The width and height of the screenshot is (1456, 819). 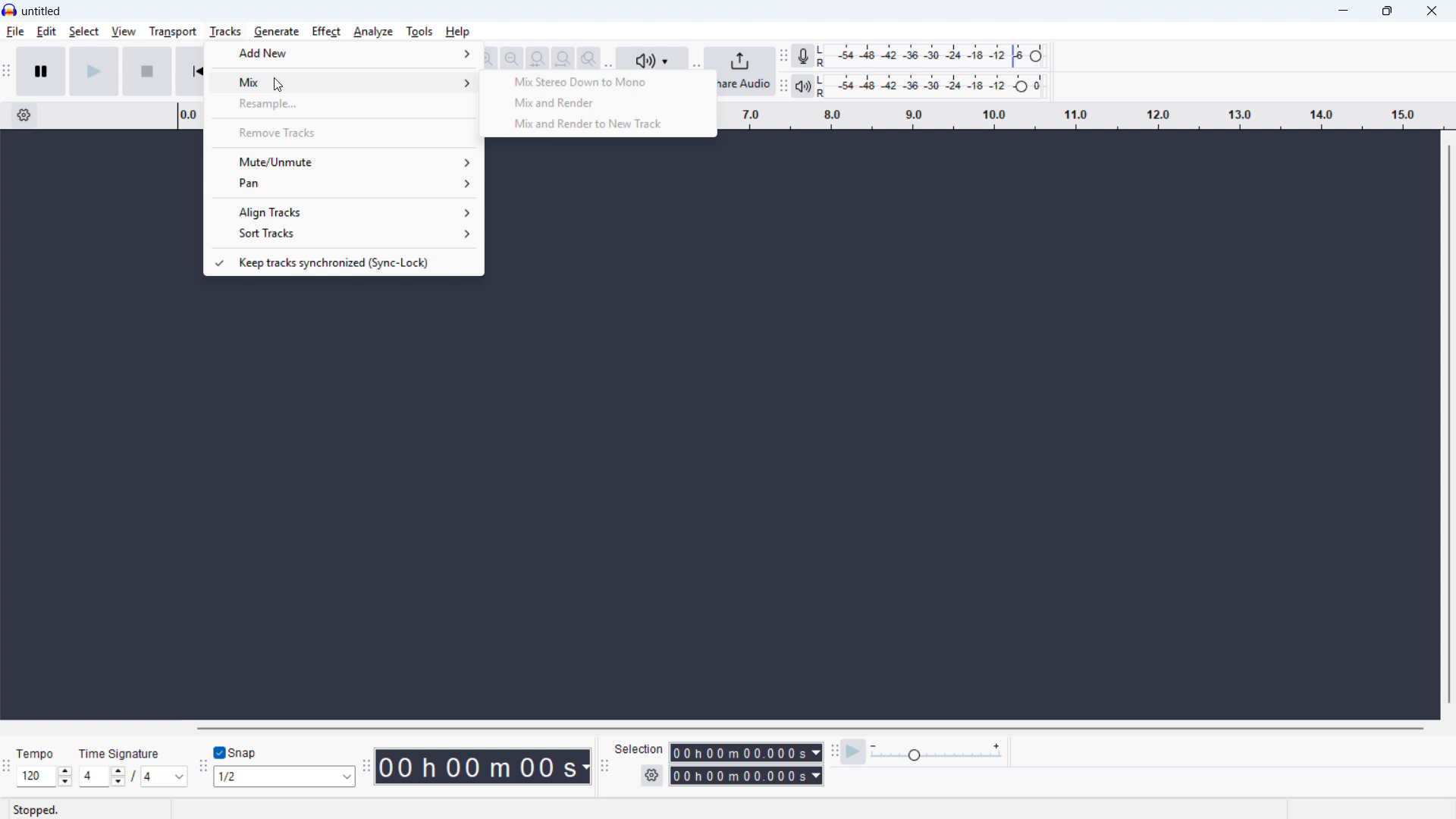 I want to click on Title , so click(x=42, y=11).